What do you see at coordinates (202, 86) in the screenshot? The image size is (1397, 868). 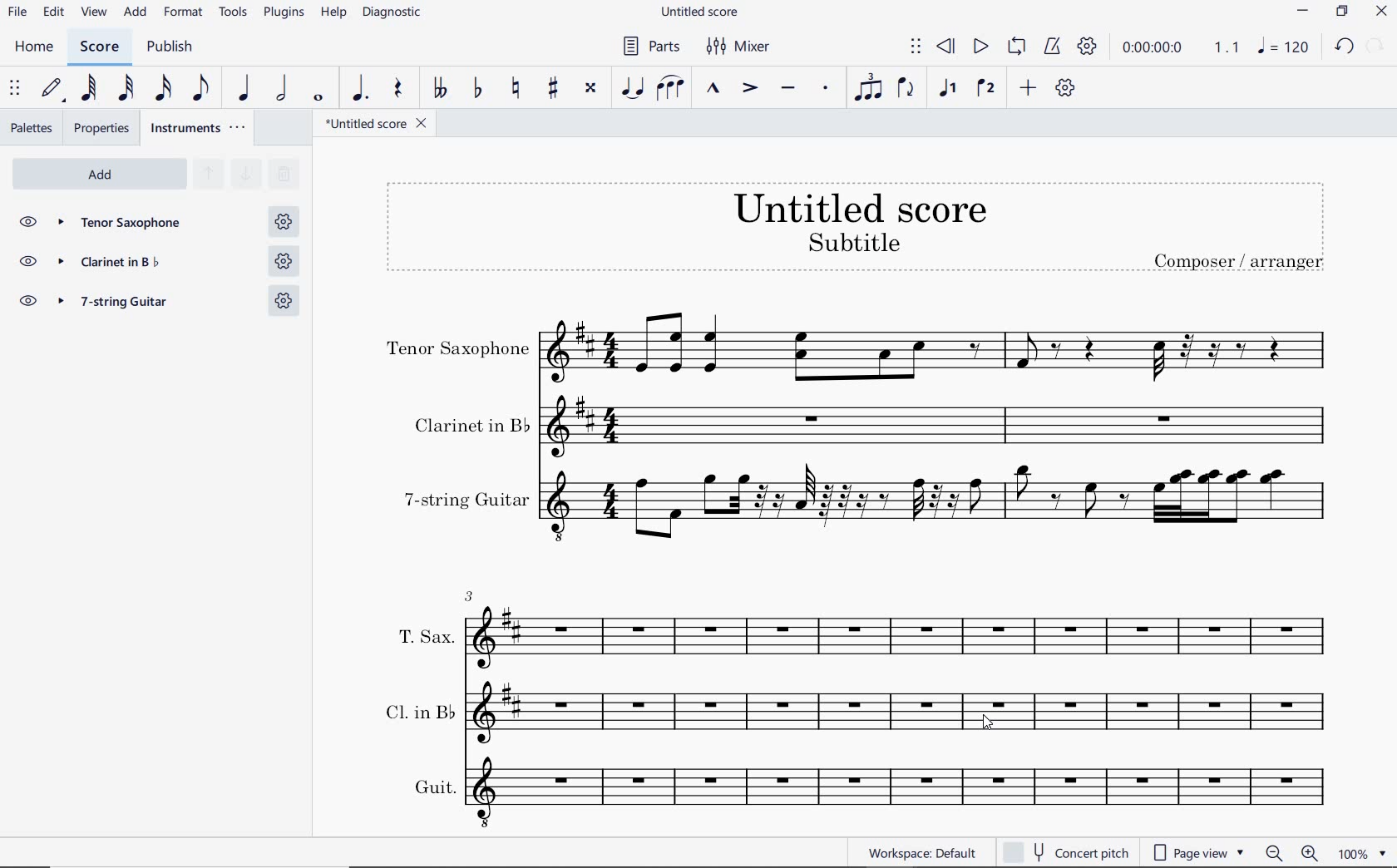 I see `EIGHTH NOTE` at bounding box center [202, 86].